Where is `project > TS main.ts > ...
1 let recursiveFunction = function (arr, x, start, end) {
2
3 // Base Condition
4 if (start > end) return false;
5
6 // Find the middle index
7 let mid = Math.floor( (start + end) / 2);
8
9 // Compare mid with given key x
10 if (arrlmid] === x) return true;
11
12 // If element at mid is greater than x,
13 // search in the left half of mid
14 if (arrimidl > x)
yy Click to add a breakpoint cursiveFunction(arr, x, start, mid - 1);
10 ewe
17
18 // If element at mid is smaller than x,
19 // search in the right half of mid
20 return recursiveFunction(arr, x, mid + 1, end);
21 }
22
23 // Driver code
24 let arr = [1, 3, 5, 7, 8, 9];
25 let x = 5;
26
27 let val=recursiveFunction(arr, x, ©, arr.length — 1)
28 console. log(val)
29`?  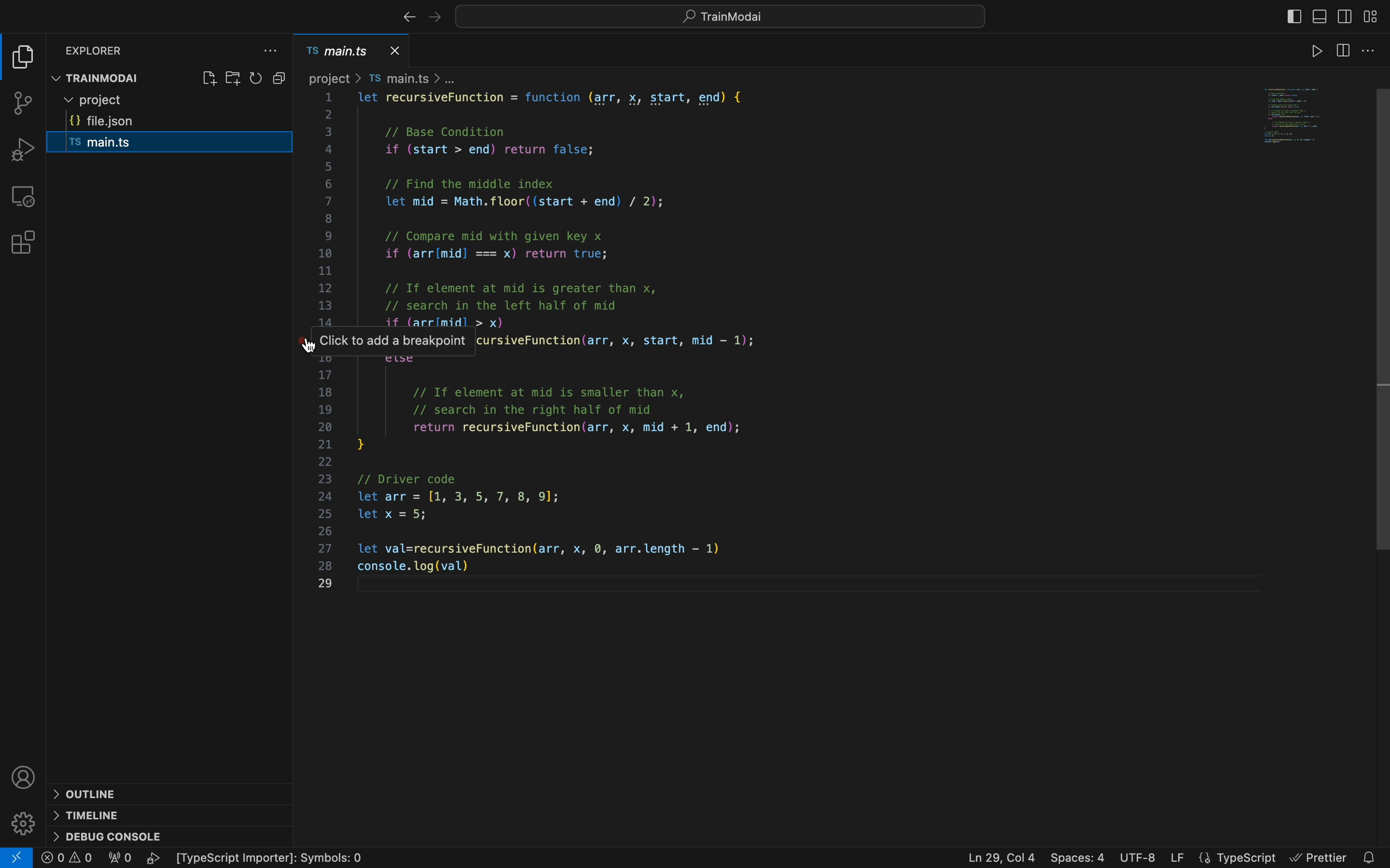 project > TS main.ts > ...
1 let recursiveFunction = function (arr, x, start, end) {
2
3 // Base Condition
4 if (start > end) return false;
5
6 // Find the middle index
7 let mid = Math.floor( (start + end) / 2);
8
9 // Compare mid with given key x
10 if (arrlmid] === x) return true;
11
12 // If element at mid is greater than x,
13 // search in the left half of mid
14 if (arrimidl > x)
yy Click to add a breakpoint cursiveFunction(arr, x, start, mid - 1);
10 ewe
17
18 // If element at mid is smaller than x,
19 // search in the right half of mid
20 return recursiveFunction(arr, x, mid + 1, end);
21 }
22
23 // Driver code
24 let arr = [1, 3, 5, 7, 8, 9];
25 let x = 5;
26
27 let val=recursiveFunction(arr, x, ©, arr.length — 1)
28 console. log(val)
29 is located at coordinates (683, 336).